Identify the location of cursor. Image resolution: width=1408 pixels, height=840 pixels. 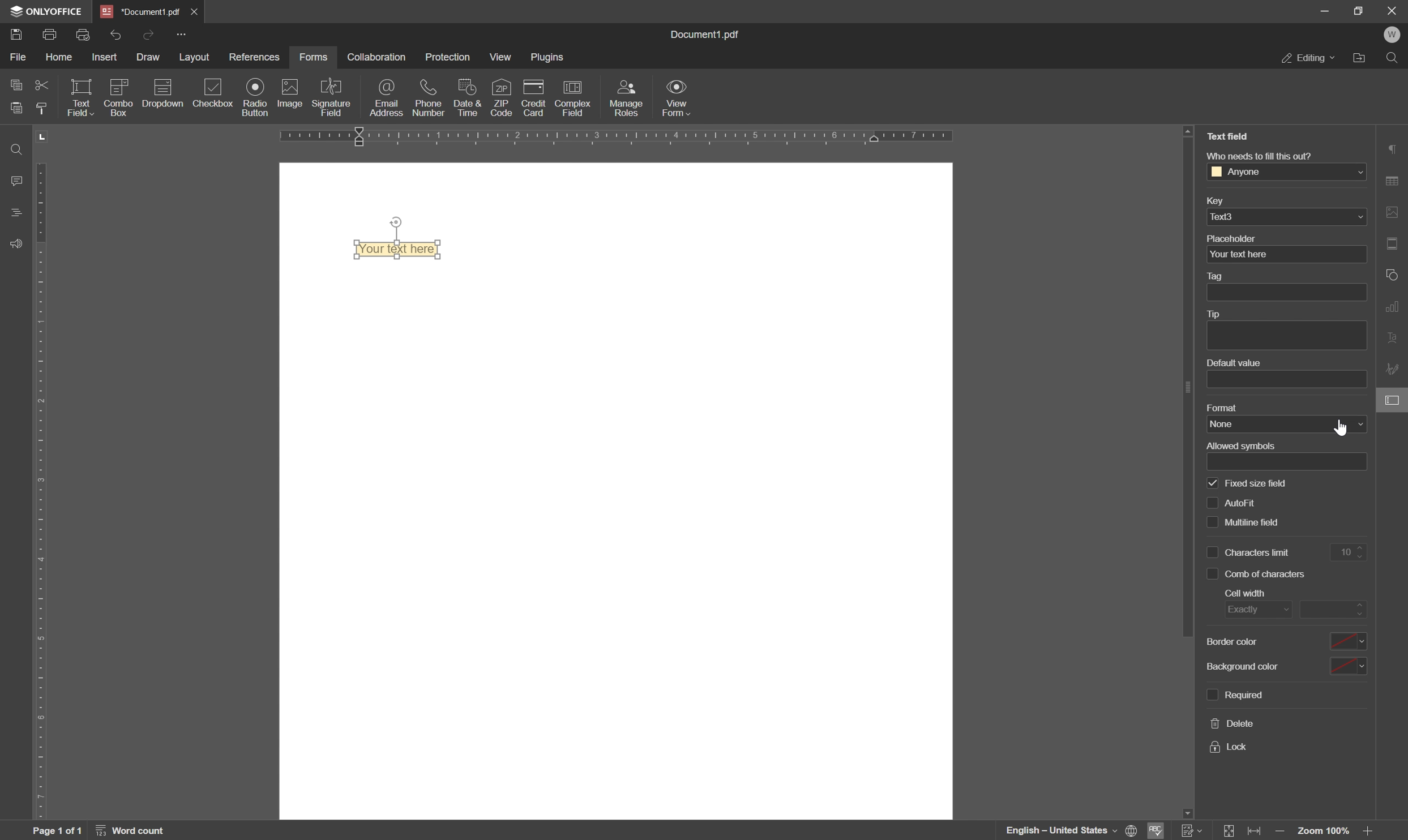
(1341, 427).